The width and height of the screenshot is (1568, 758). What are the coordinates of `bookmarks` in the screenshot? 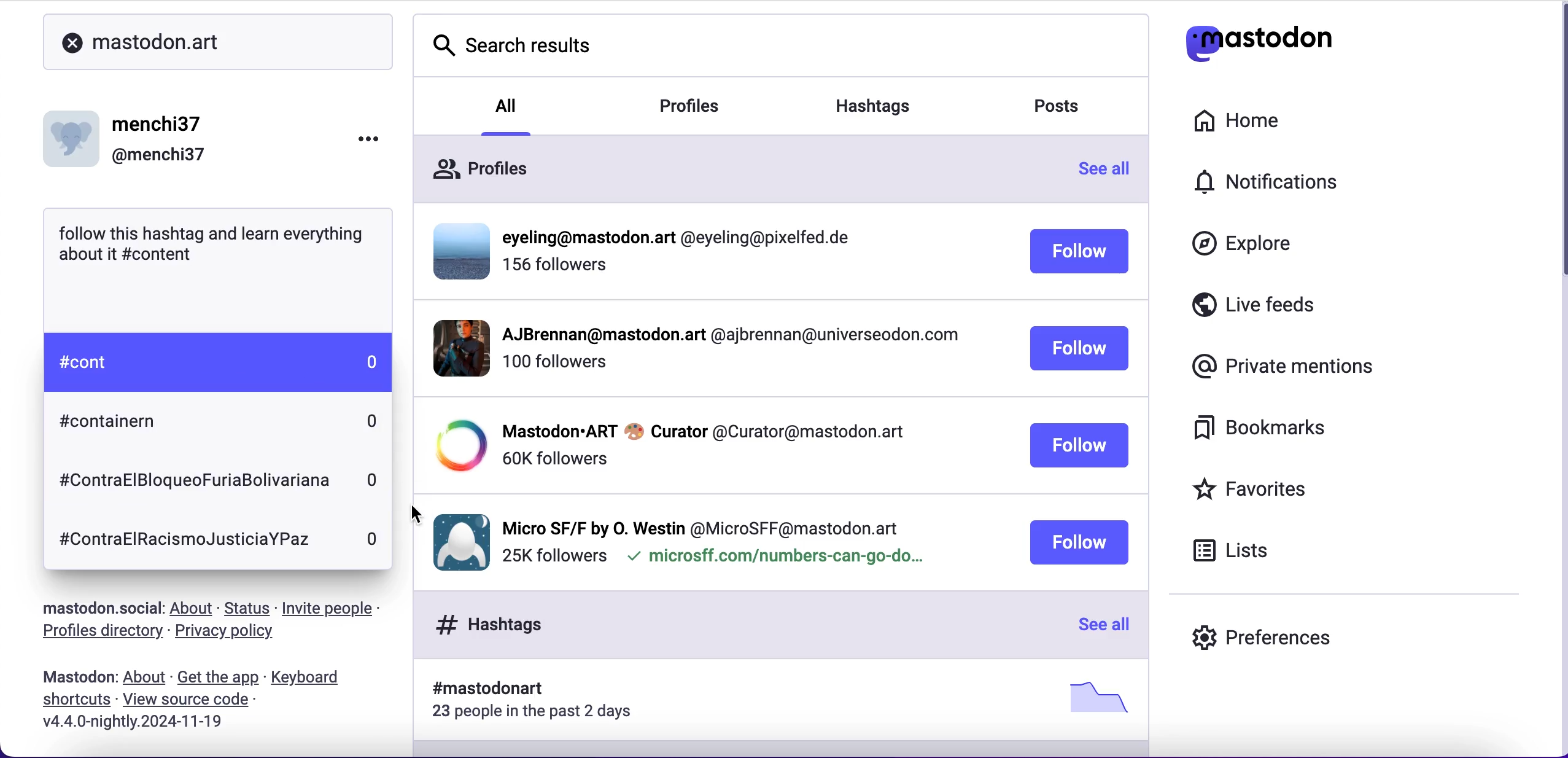 It's located at (1269, 432).